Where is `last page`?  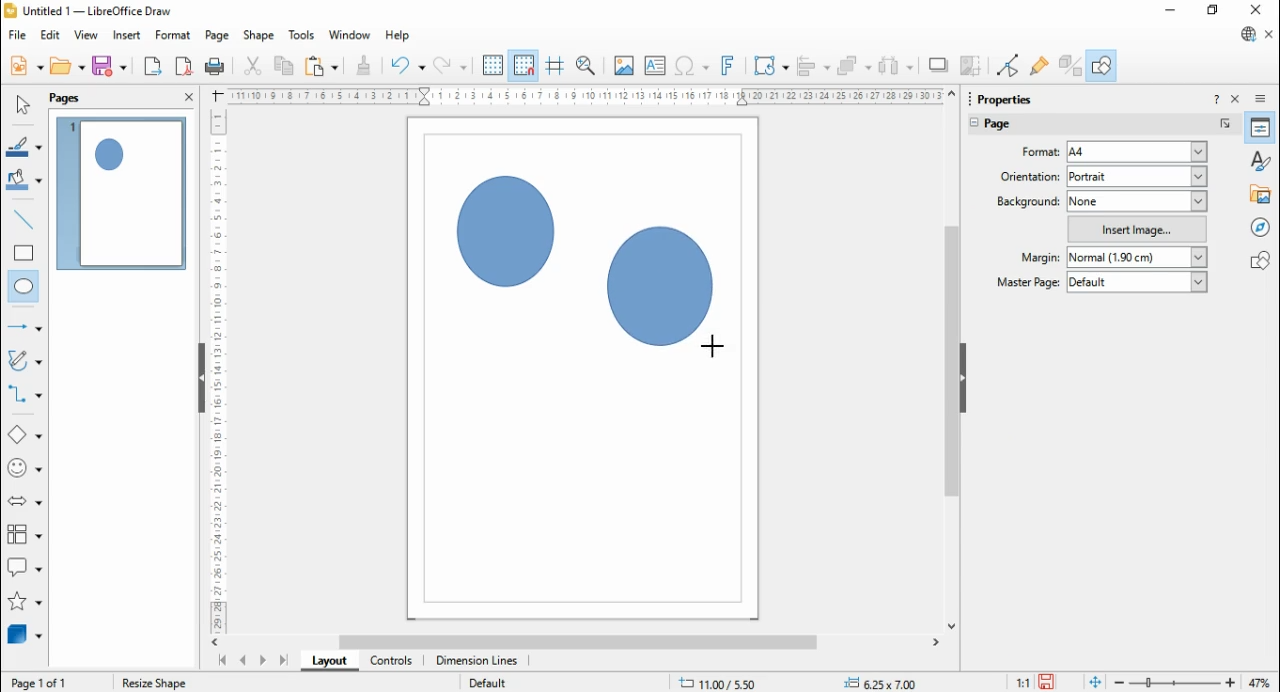 last page is located at coordinates (283, 660).